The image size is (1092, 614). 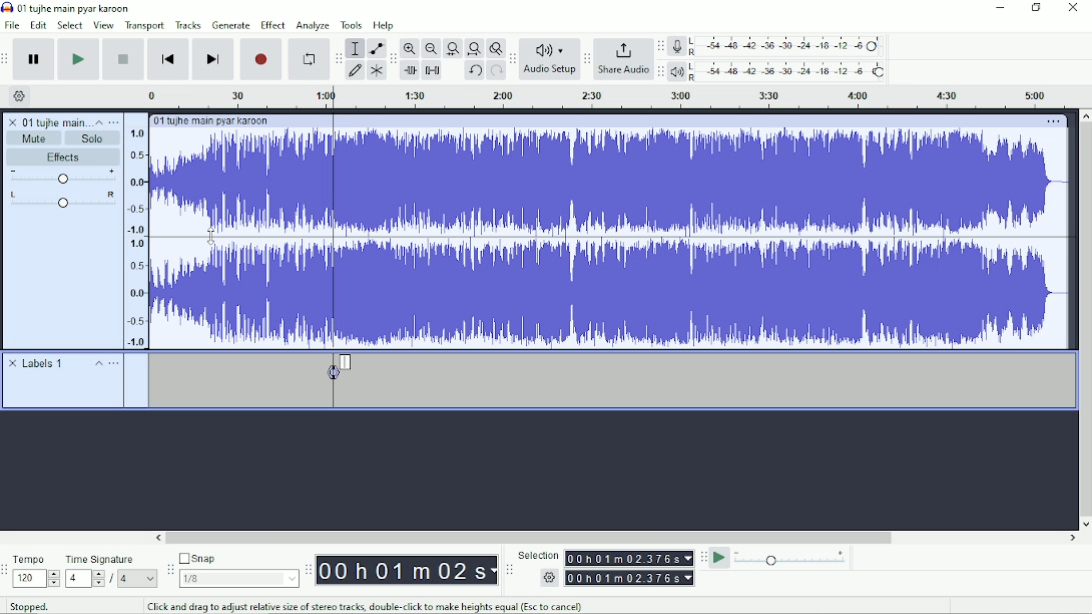 I want to click on Edit, so click(x=38, y=26).